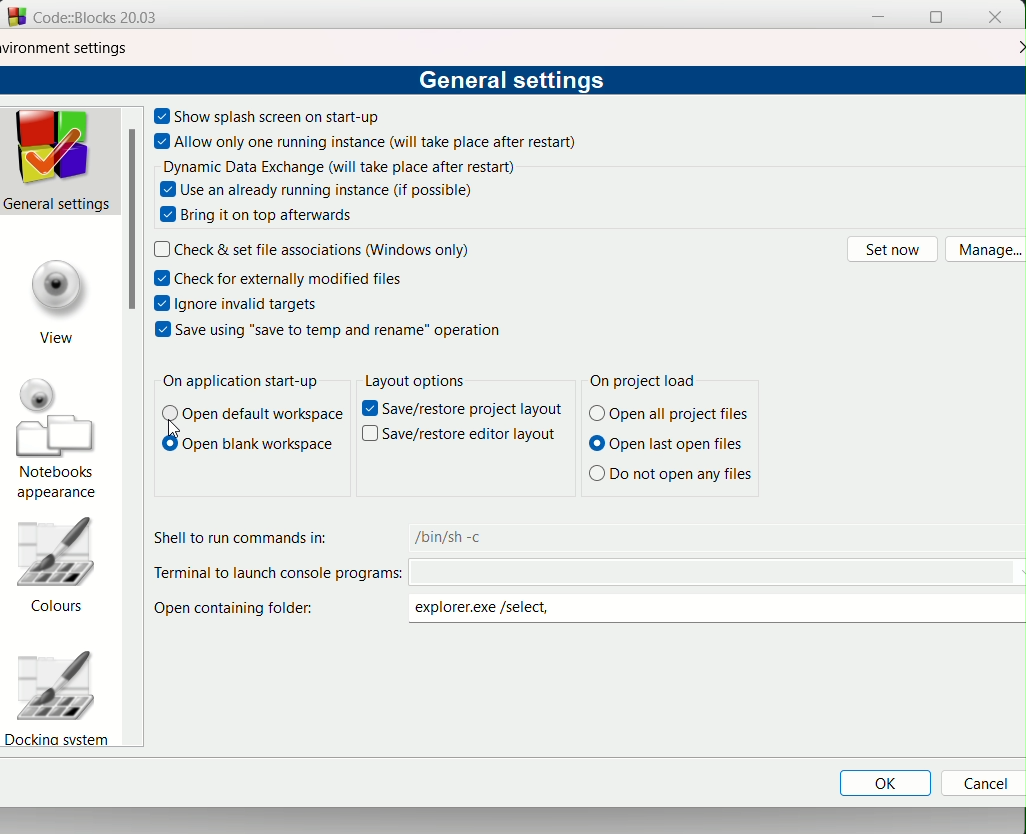 The width and height of the screenshot is (1026, 834). What do you see at coordinates (237, 382) in the screenshot?
I see `text` at bounding box center [237, 382].